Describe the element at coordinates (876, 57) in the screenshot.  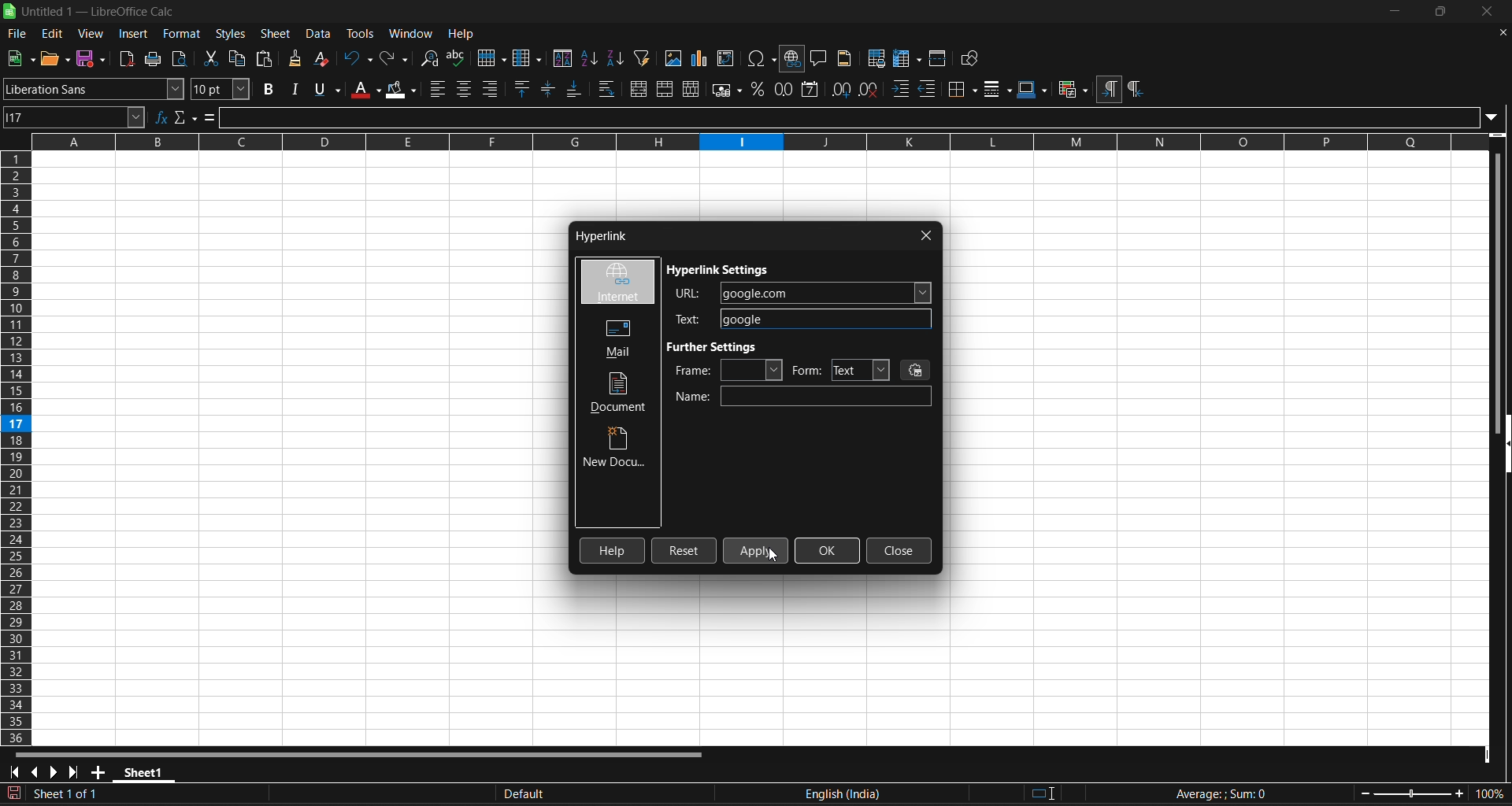
I see `define print area` at that location.